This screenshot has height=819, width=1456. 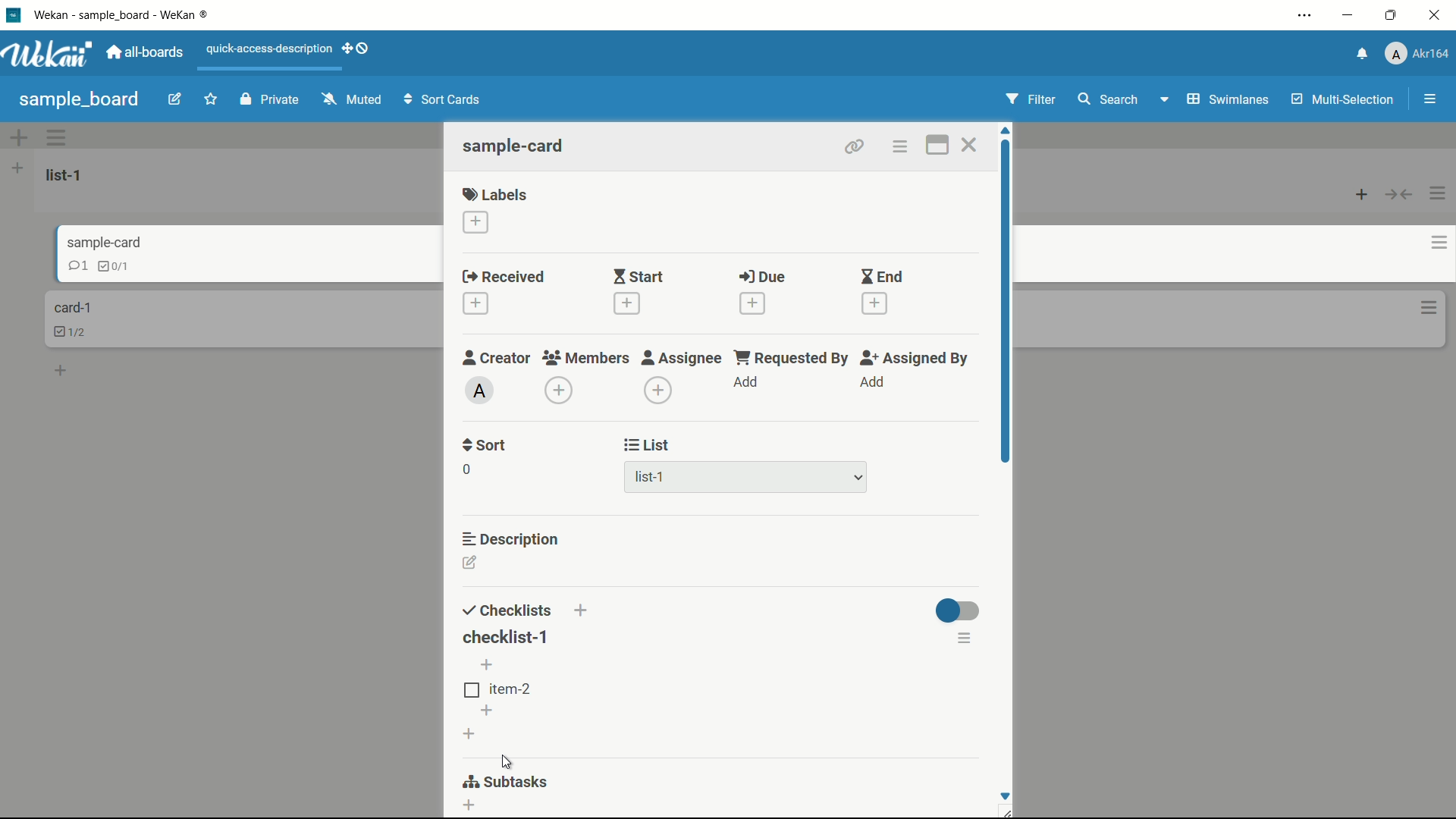 What do you see at coordinates (272, 99) in the screenshot?
I see `private` at bounding box center [272, 99].